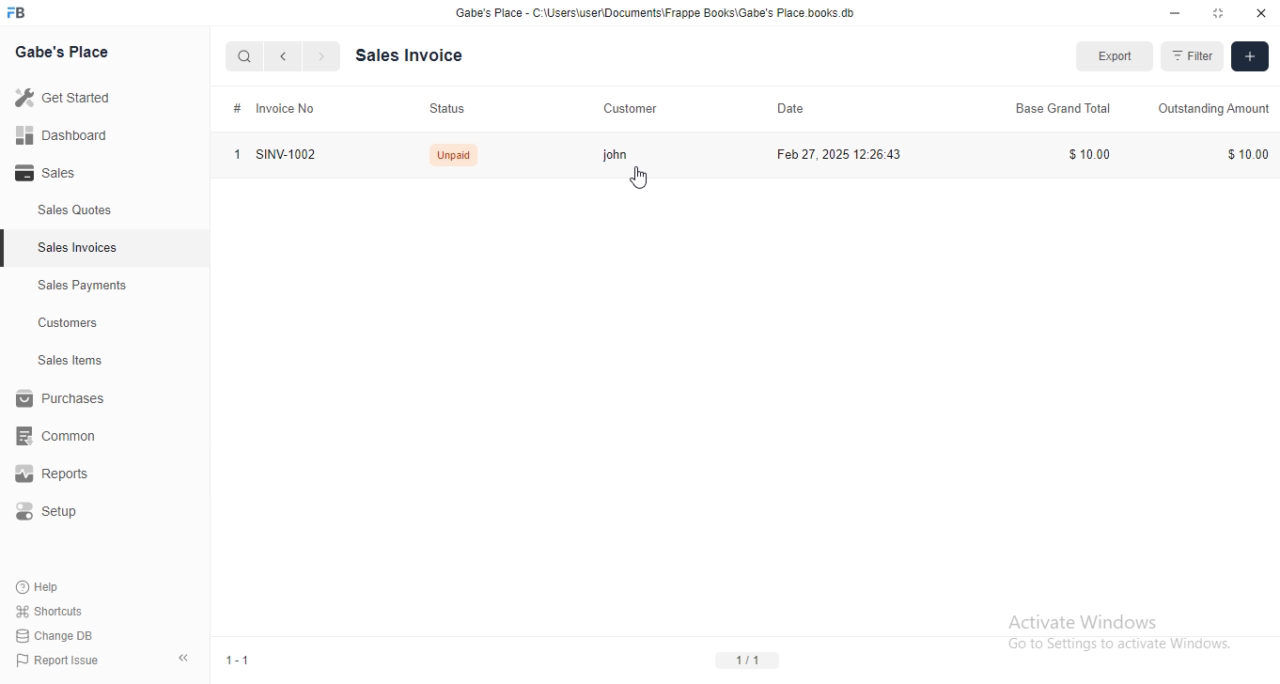 The image size is (1280, 684). What do you see at coordinates (655, 13) in the screenshot?
I see `Gabe's Place - C:\Users\user\Documents\Frappe Books\Gabe's Place.books db` at bounding box center [655, 13].